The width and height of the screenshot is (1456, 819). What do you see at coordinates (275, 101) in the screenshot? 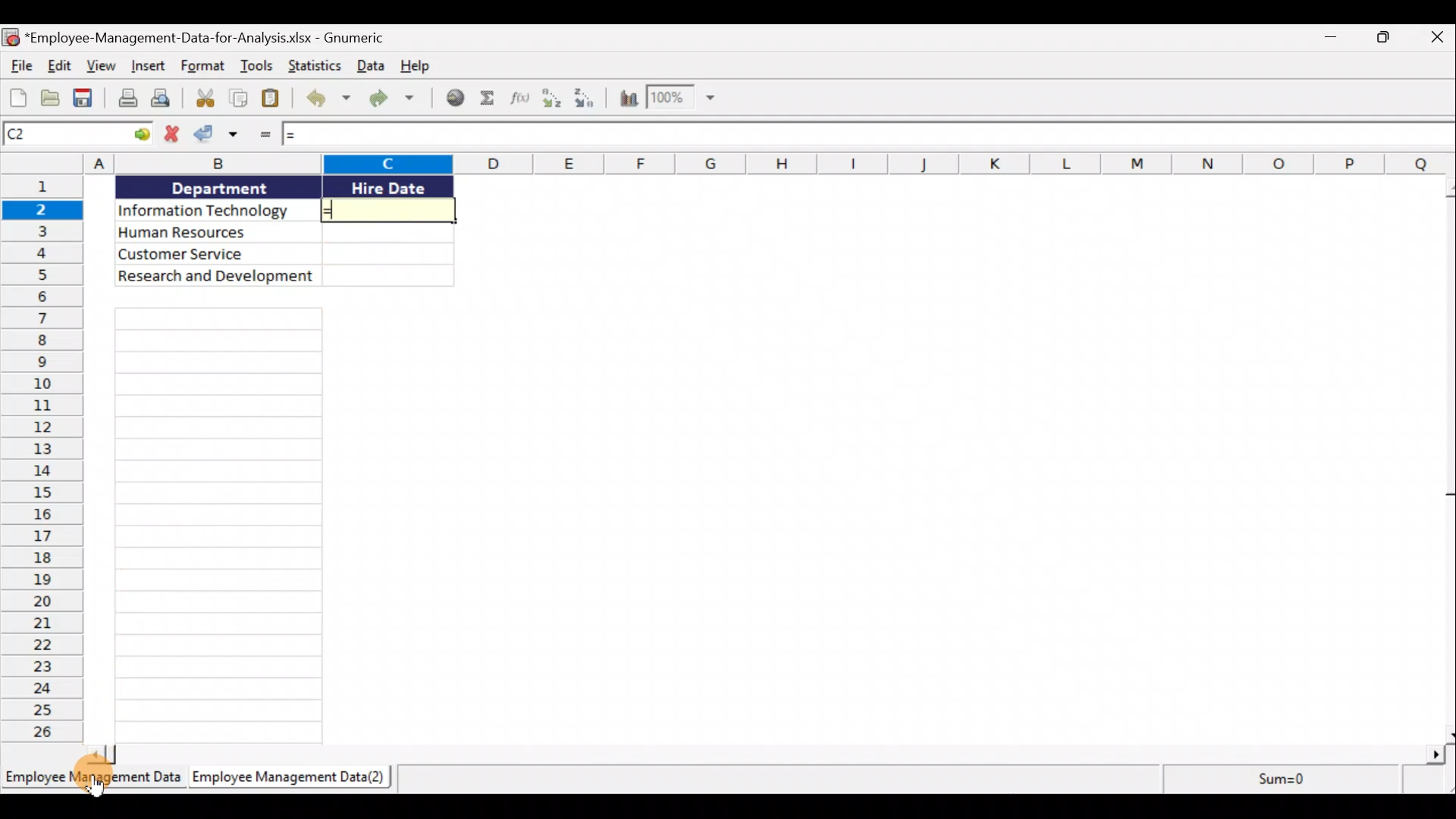
I see `Paste clipboard` at bounding box center [275, 101].